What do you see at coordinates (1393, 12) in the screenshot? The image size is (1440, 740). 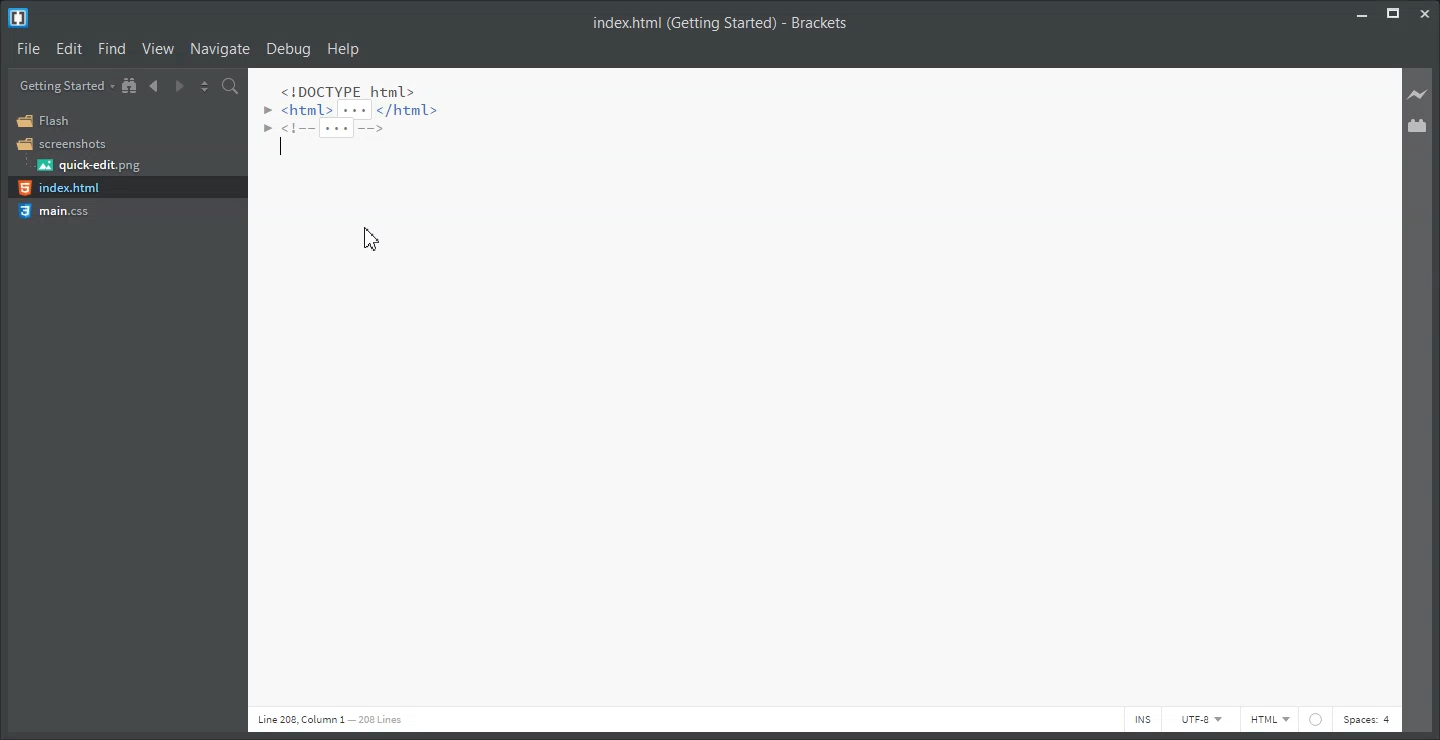 I see `Maximize` at bounding box center [1393, 12].